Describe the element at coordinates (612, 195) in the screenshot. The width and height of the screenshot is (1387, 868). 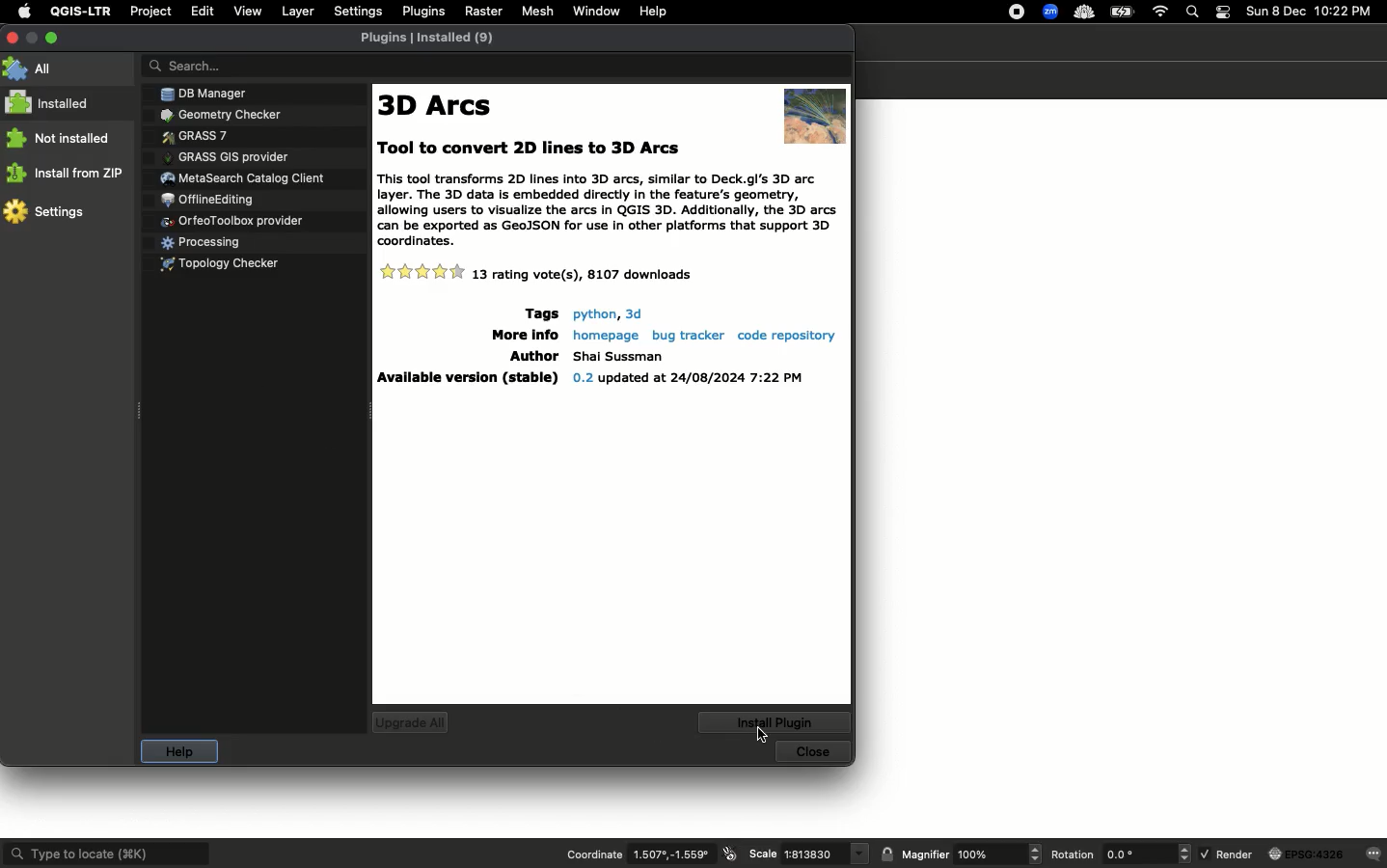
I see `Text` at that location.